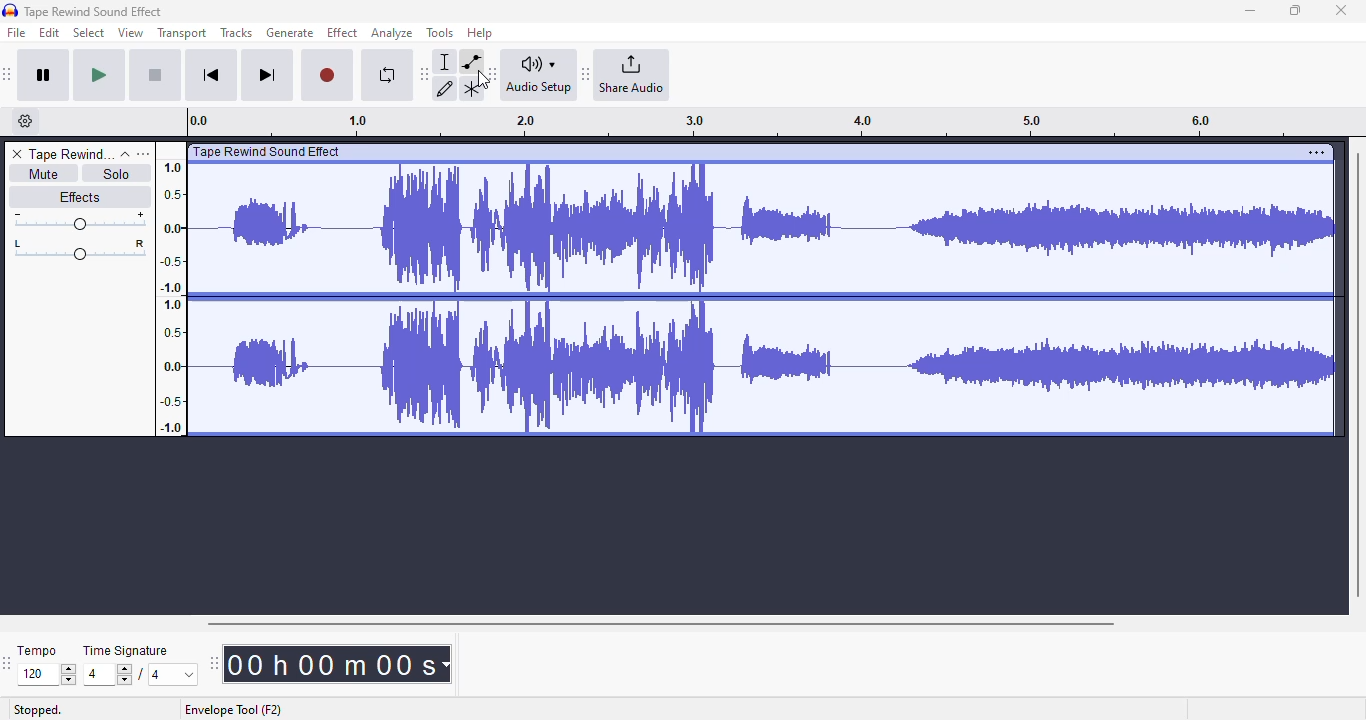  What do you see at coordinates (1341, 10) in the screenshot?
I see `close` at bounding box center [1341, 10].